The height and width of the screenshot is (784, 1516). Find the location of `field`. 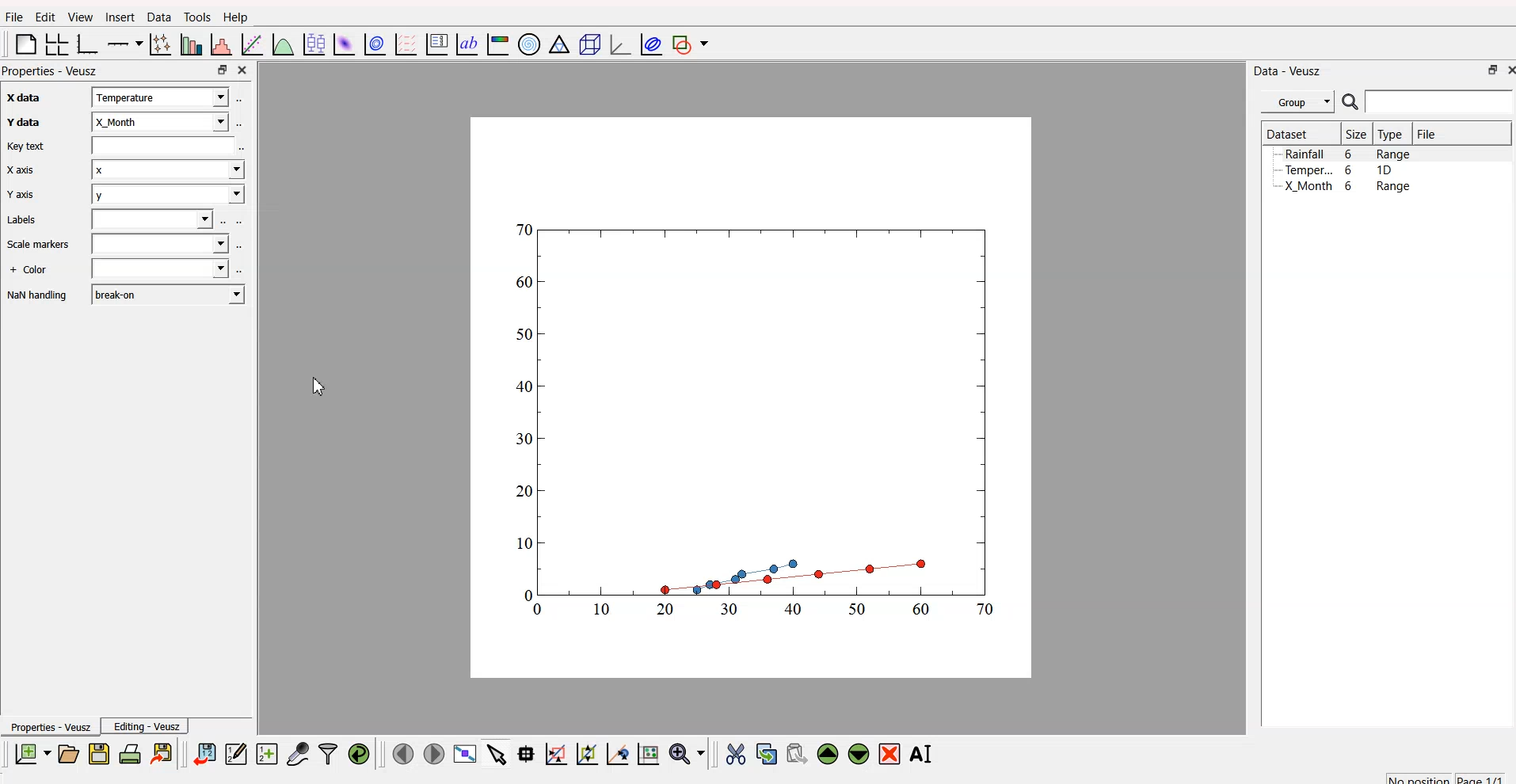

field is located at coordinates (164, 148).